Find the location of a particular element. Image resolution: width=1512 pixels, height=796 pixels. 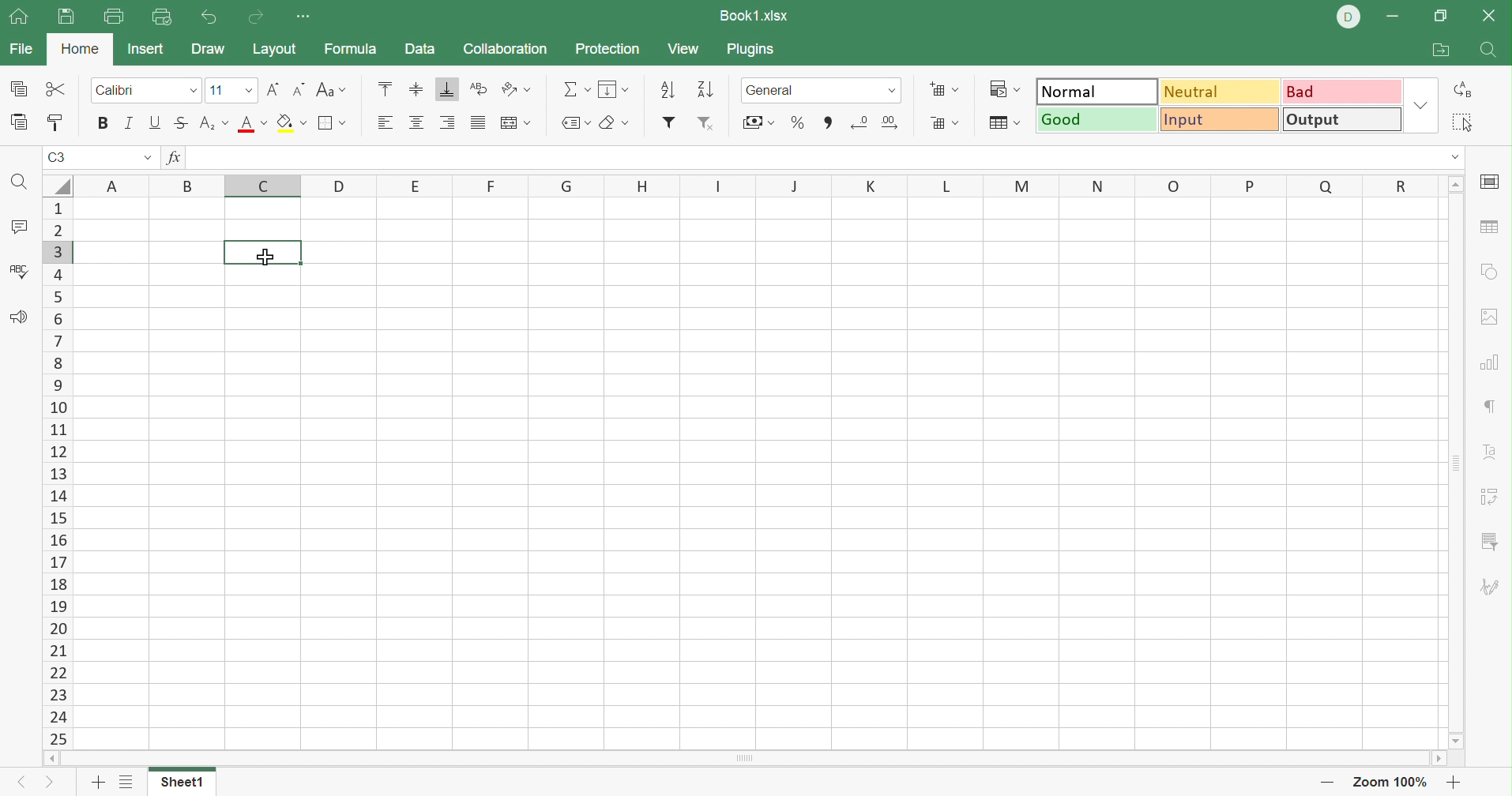

Insert is located at coordinates (147, 48).